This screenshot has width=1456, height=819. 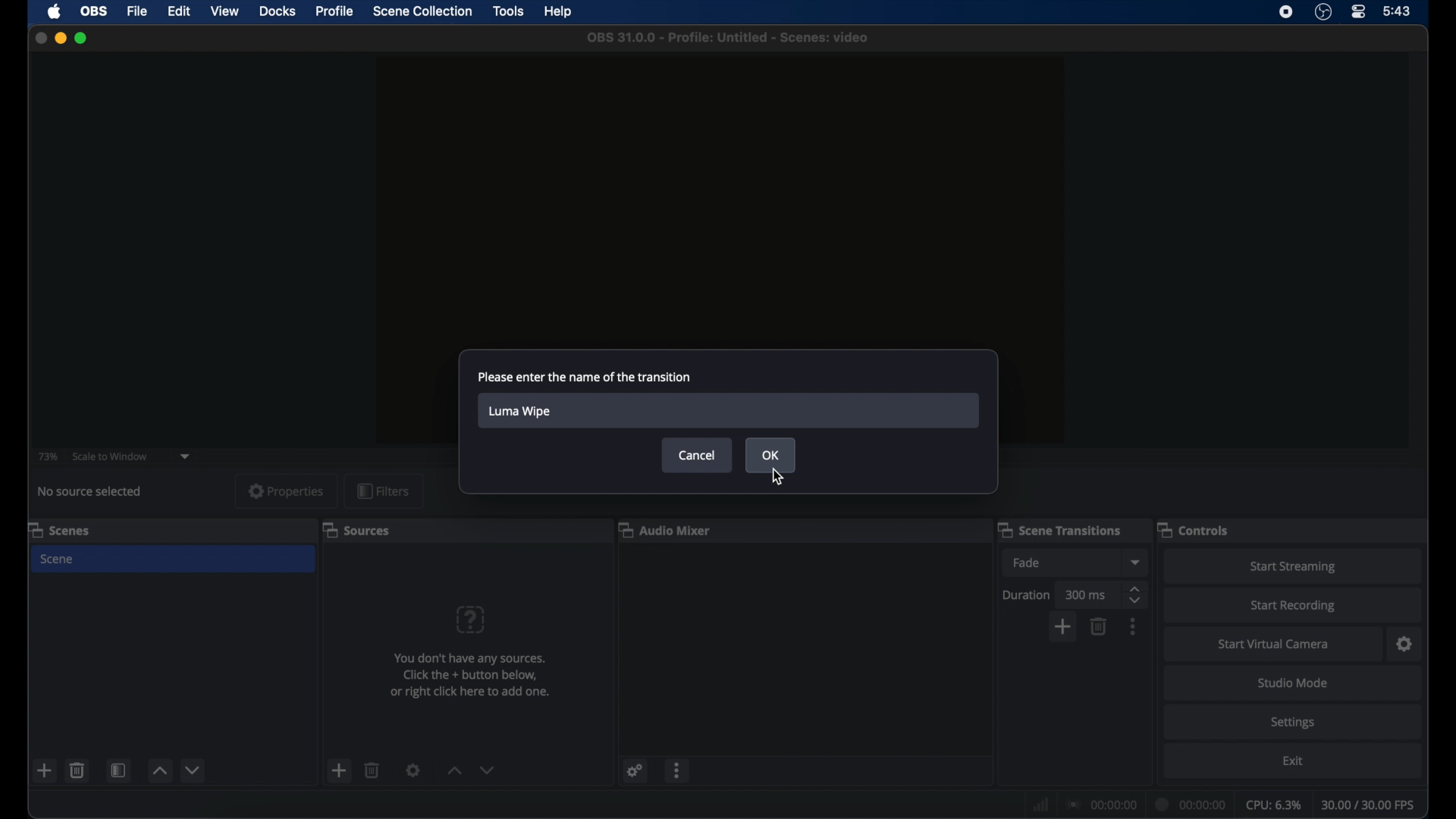 I want to click on scenes, so click(x=62, y=529).